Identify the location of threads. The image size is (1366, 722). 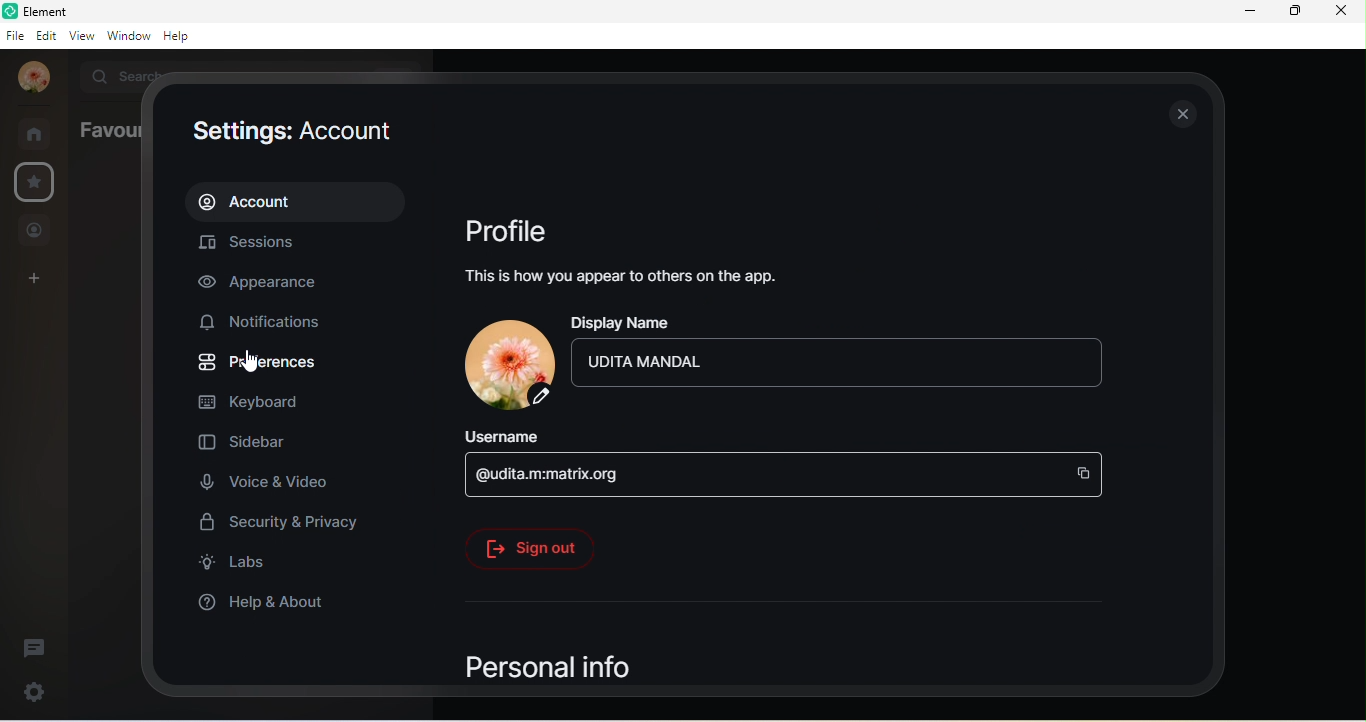
(38, 647).